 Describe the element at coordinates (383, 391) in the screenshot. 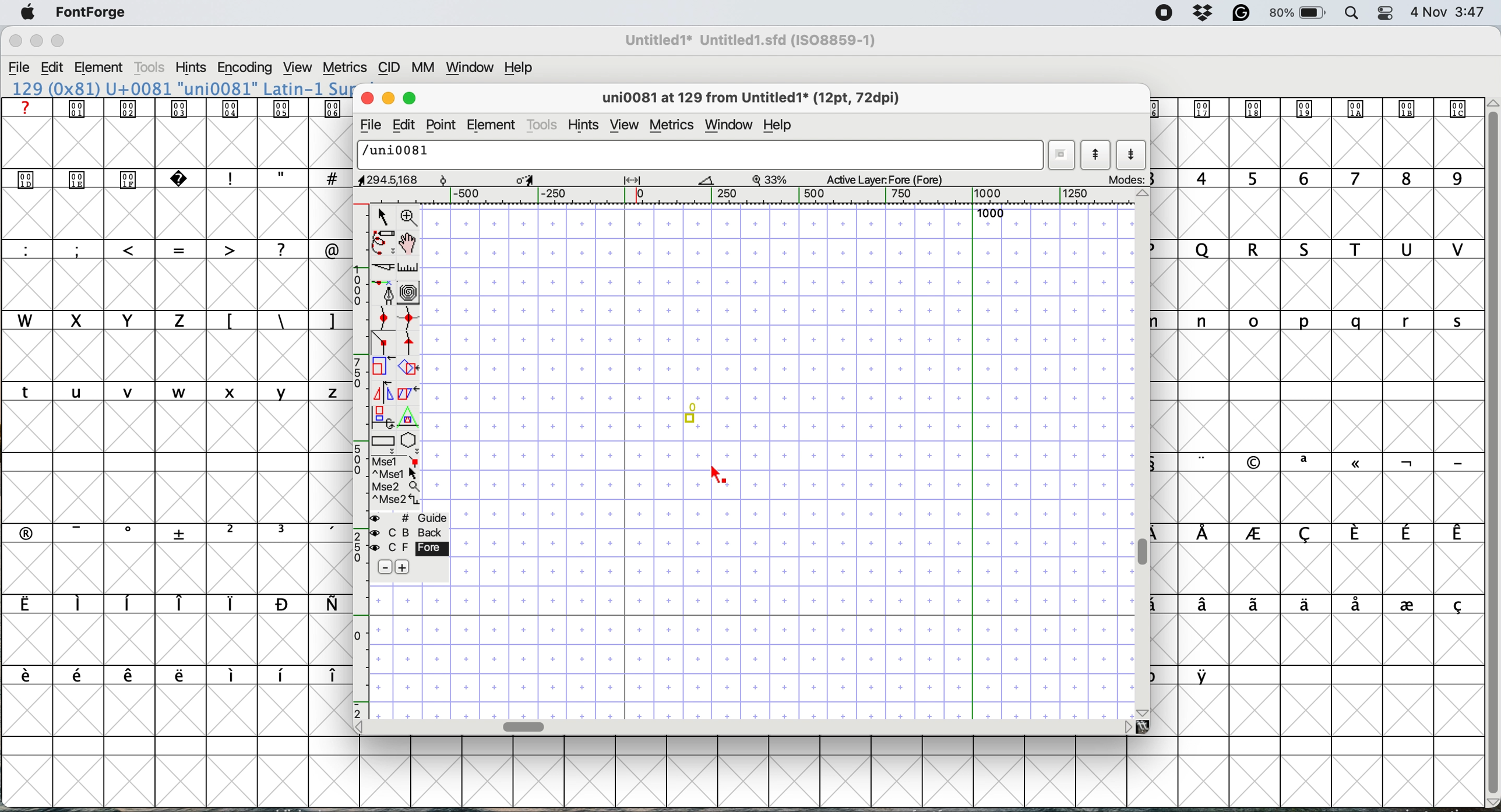

I see `flip the selection` at that location.